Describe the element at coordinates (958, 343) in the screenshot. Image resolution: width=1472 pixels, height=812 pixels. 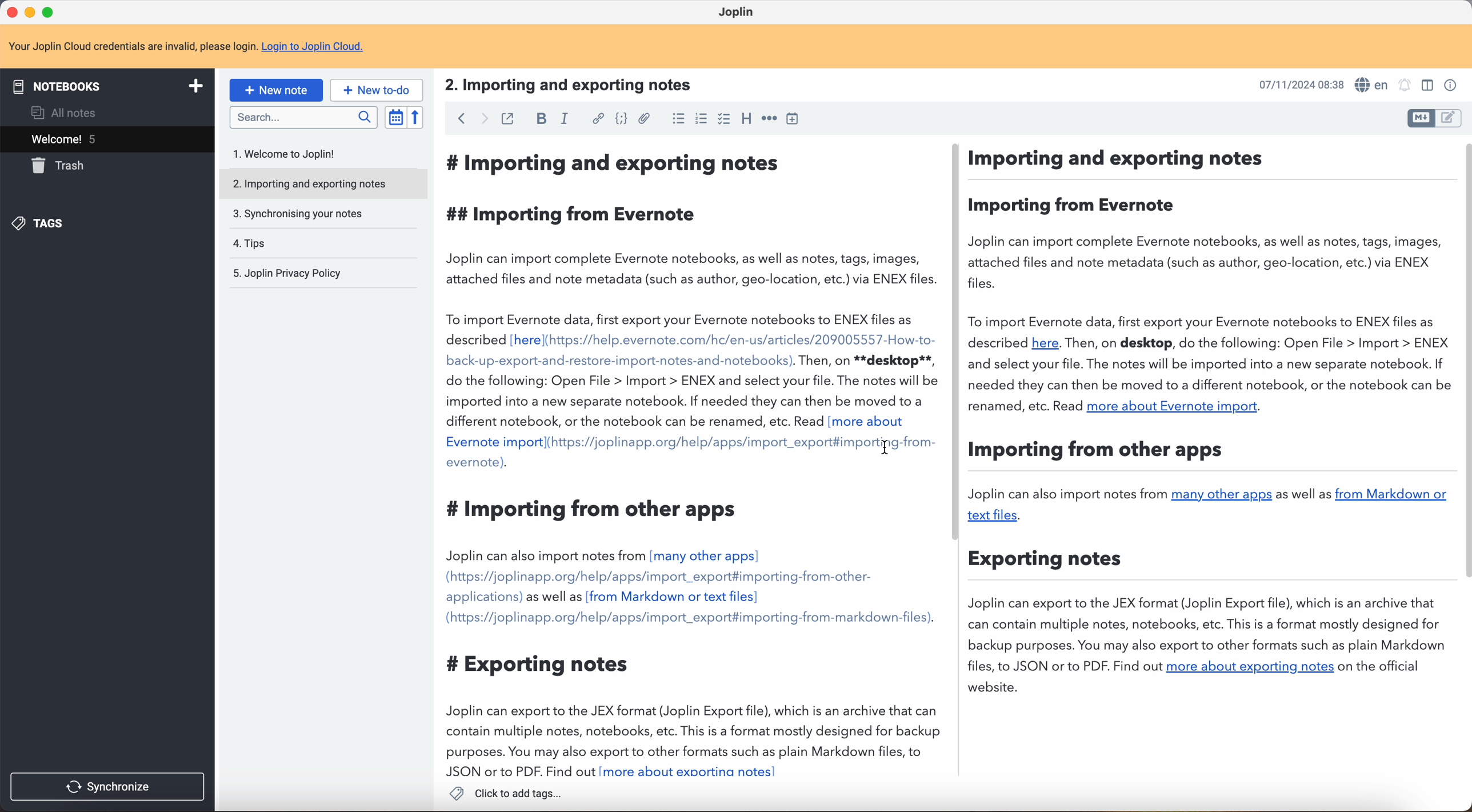
I see `scroll bar` at that location.